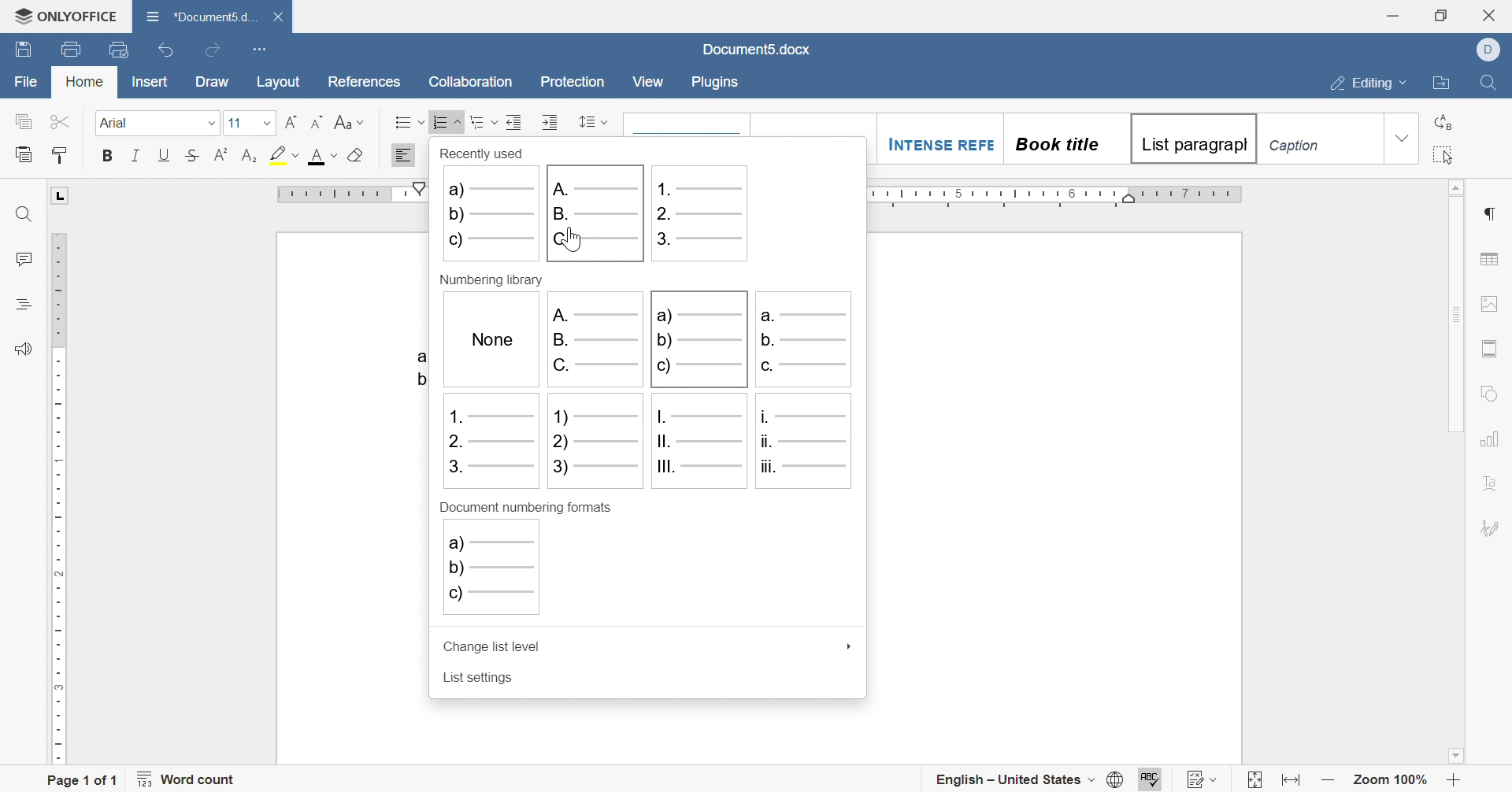 Image resolution: width=1512 pixels, height=792 pixels. What do you see at coordinates (24, 348) in the screenshot?
I see `feedback & support` at bounding box center [24, 348].